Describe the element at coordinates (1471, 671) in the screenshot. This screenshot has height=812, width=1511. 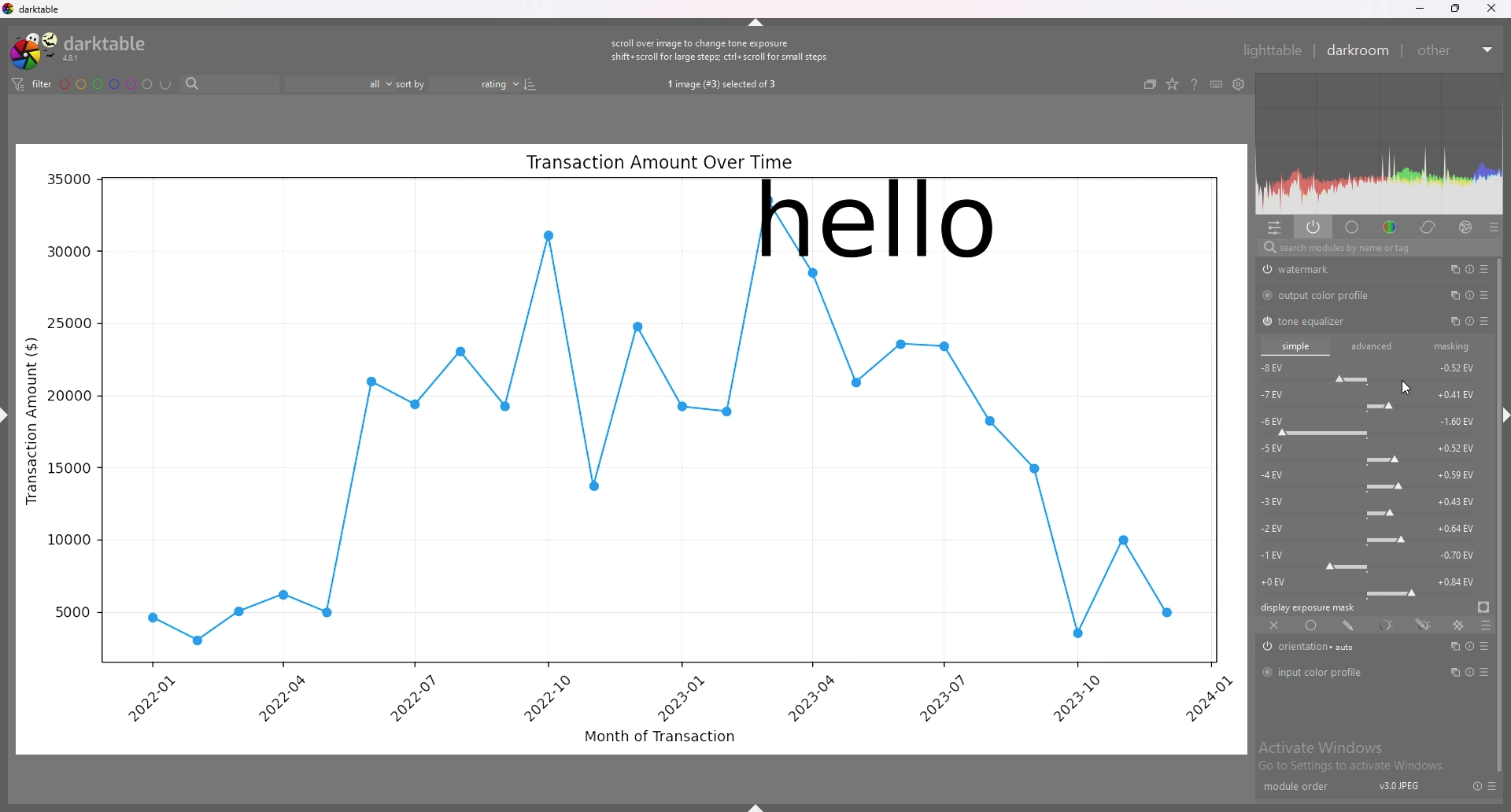
I see `multiple instance actions, reset and presets` at that location.